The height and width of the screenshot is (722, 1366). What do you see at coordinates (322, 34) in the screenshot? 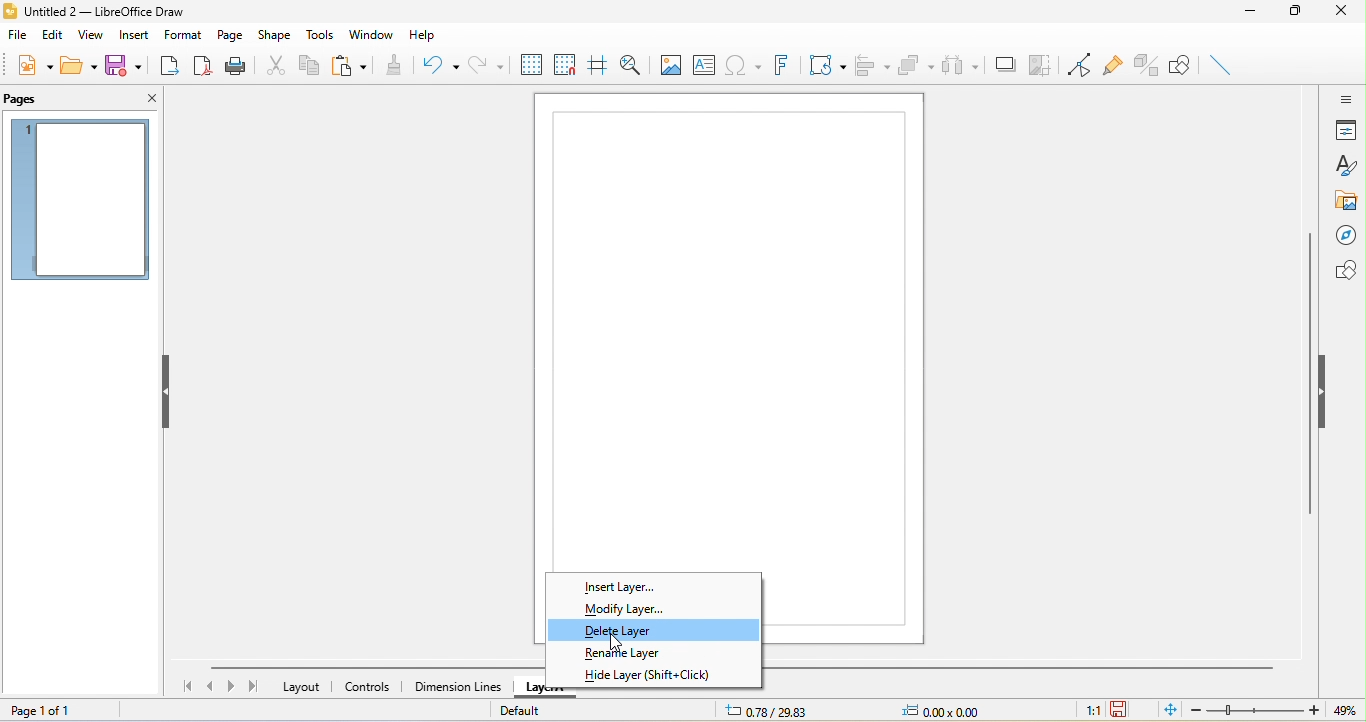
I see `tools` at bounding box center [322, 34].